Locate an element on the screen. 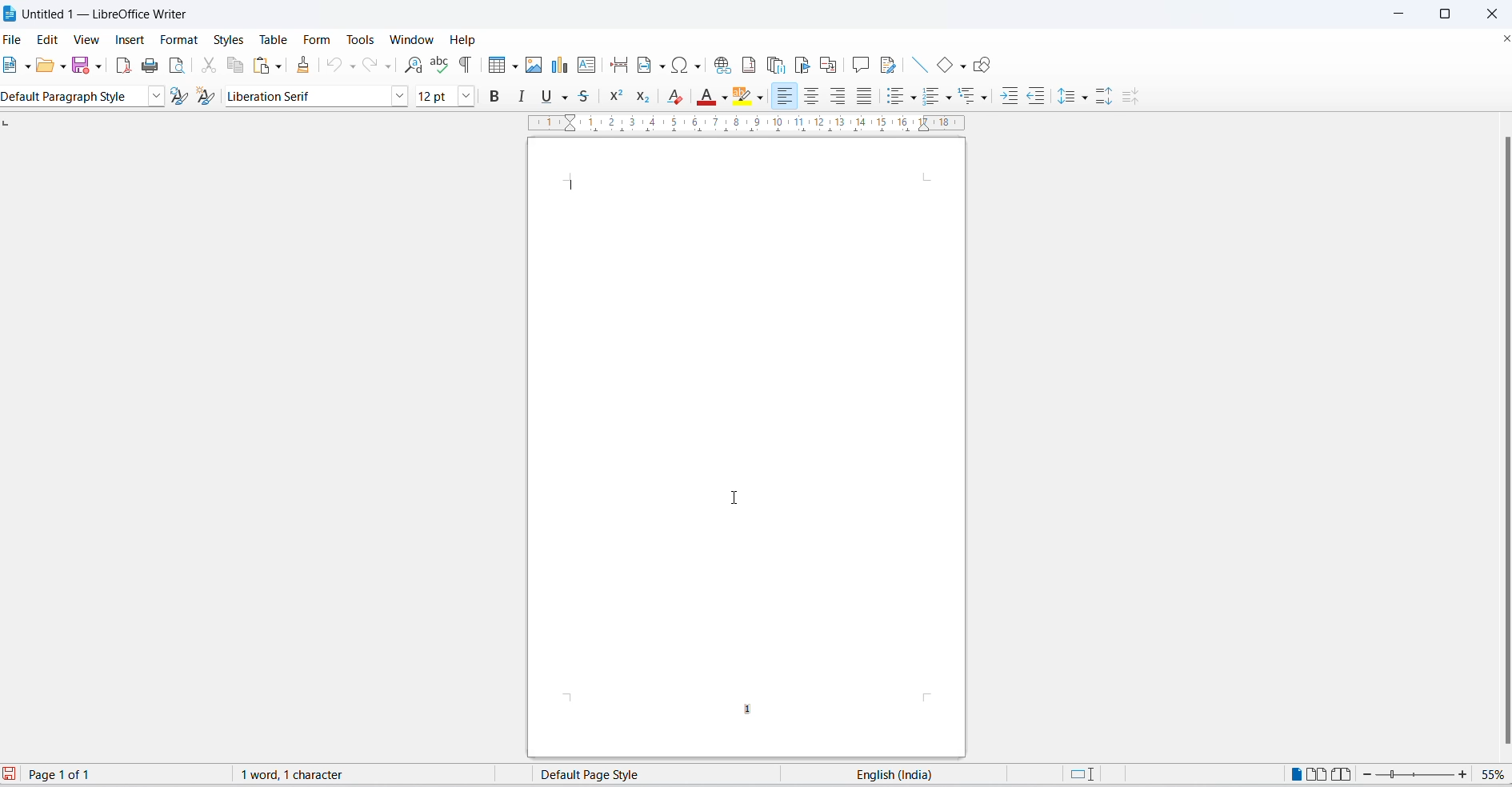 Image resolution: width=1512 pixels, height=787 pixels. insert text is located at coordinates (588, 65).